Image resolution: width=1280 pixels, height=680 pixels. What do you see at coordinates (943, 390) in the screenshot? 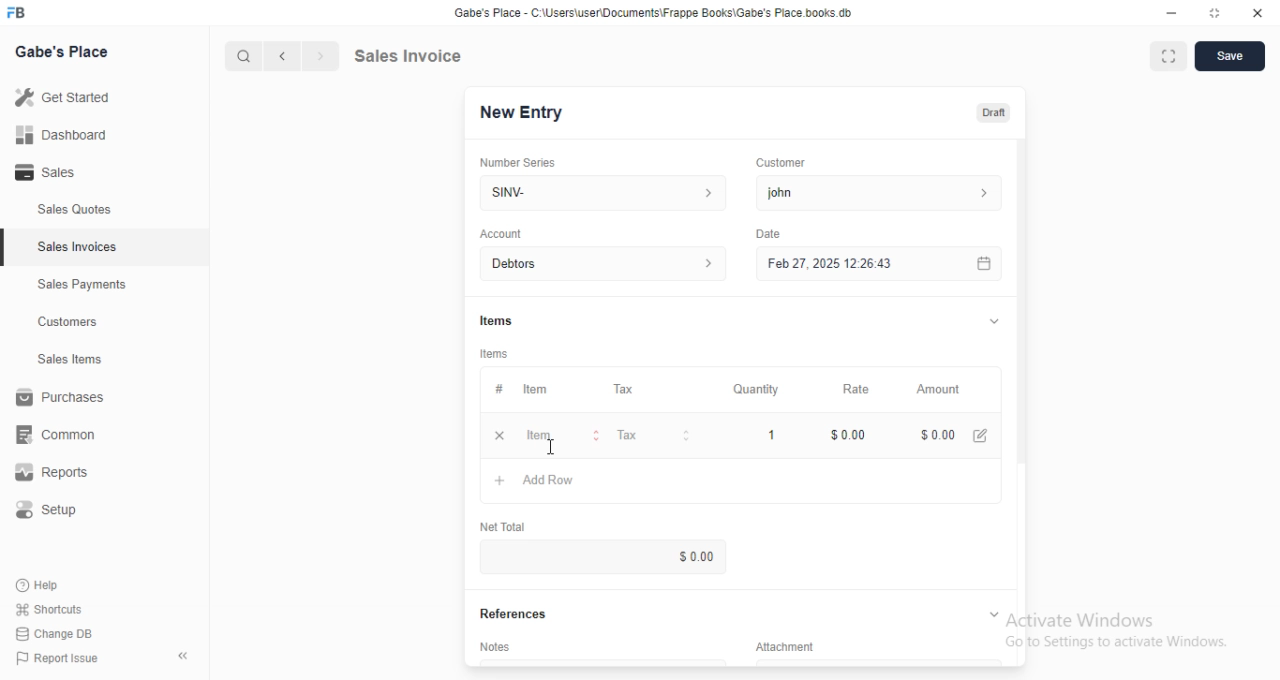
I see `Amount` at bounding box center [943, 390].